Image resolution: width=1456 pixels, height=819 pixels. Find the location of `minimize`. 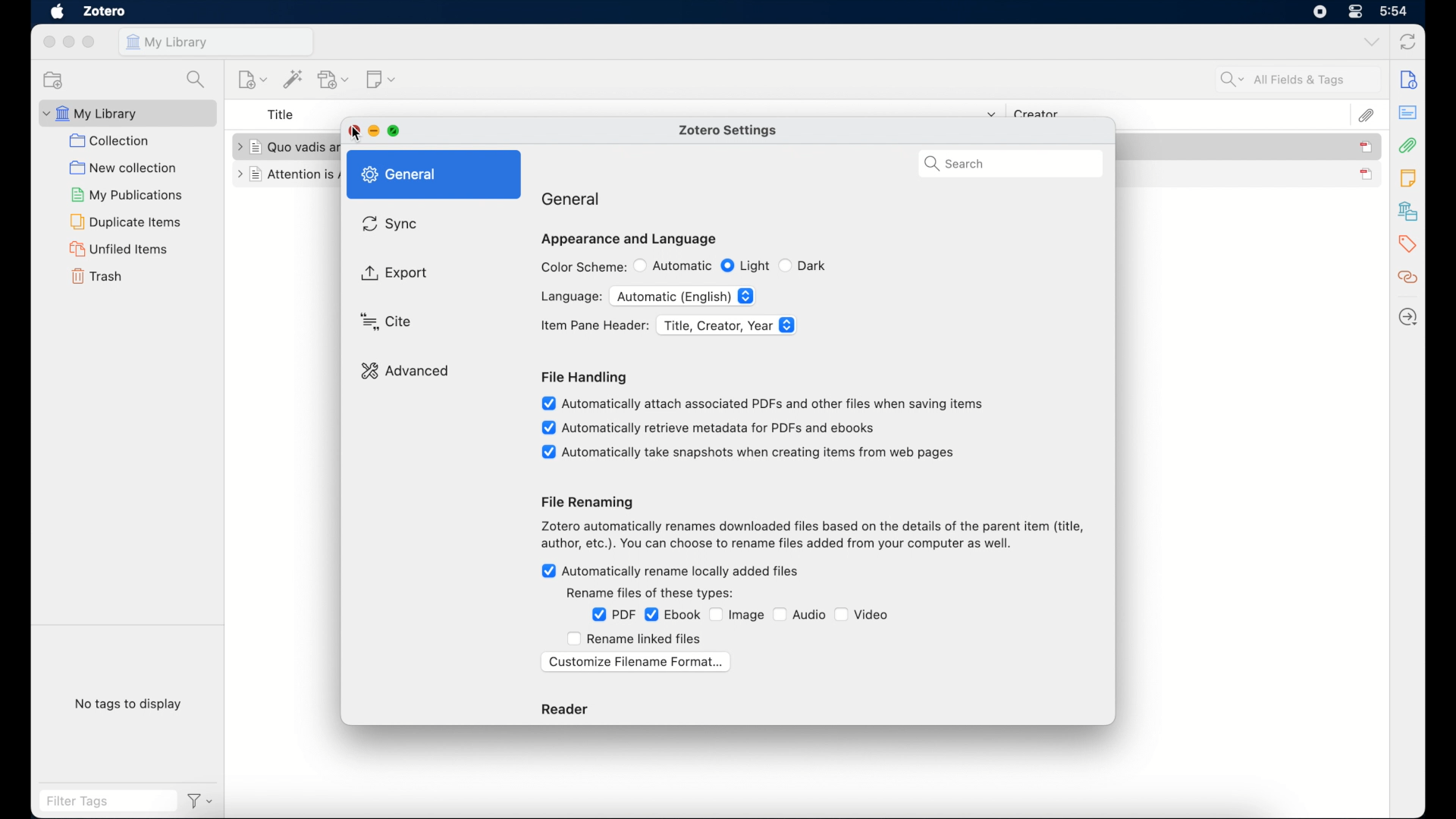

minimize is located at coordinates (374, 131).